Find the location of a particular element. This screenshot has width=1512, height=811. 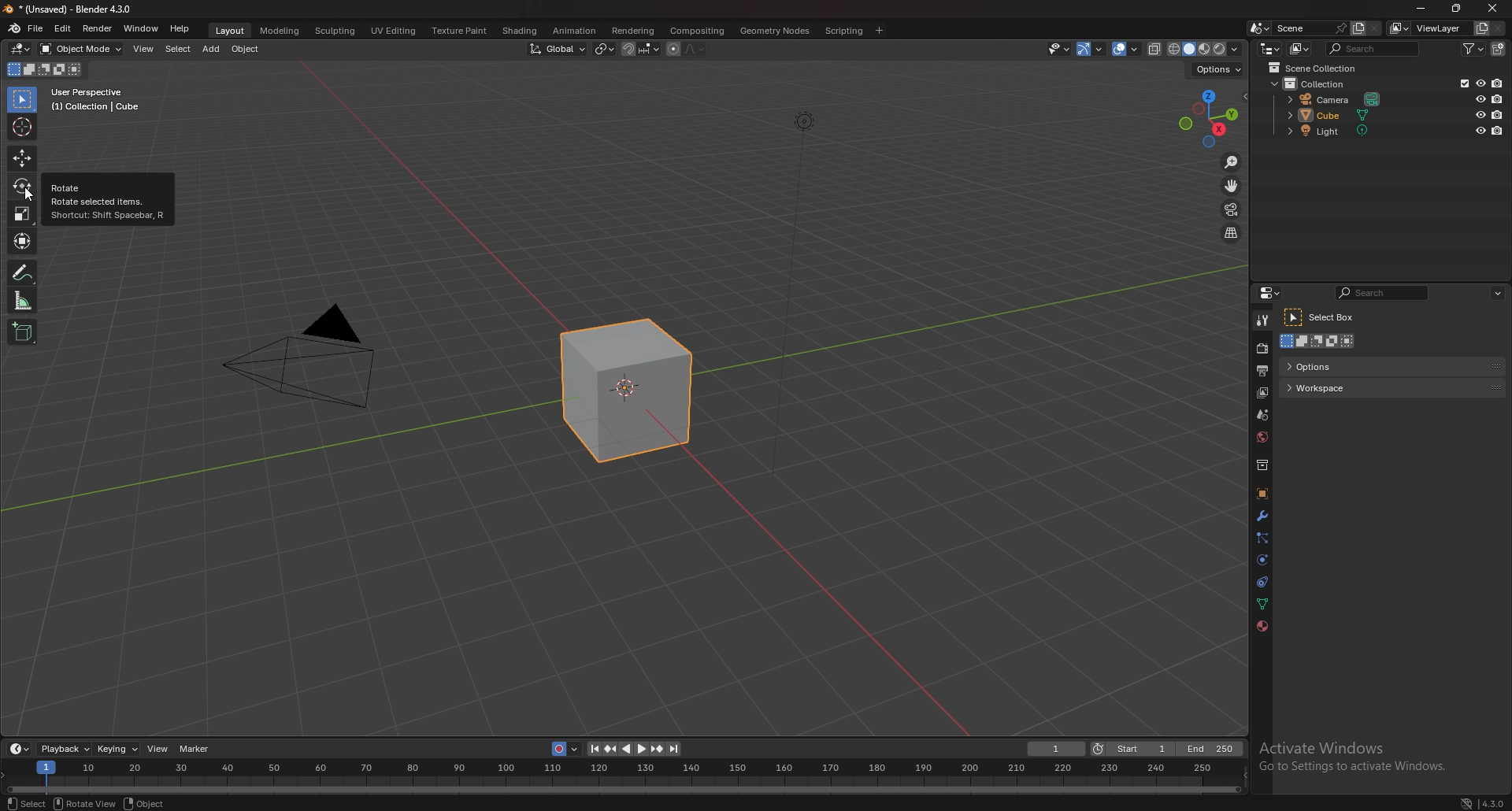

proportional editing object is located at coordinates (673, 50).